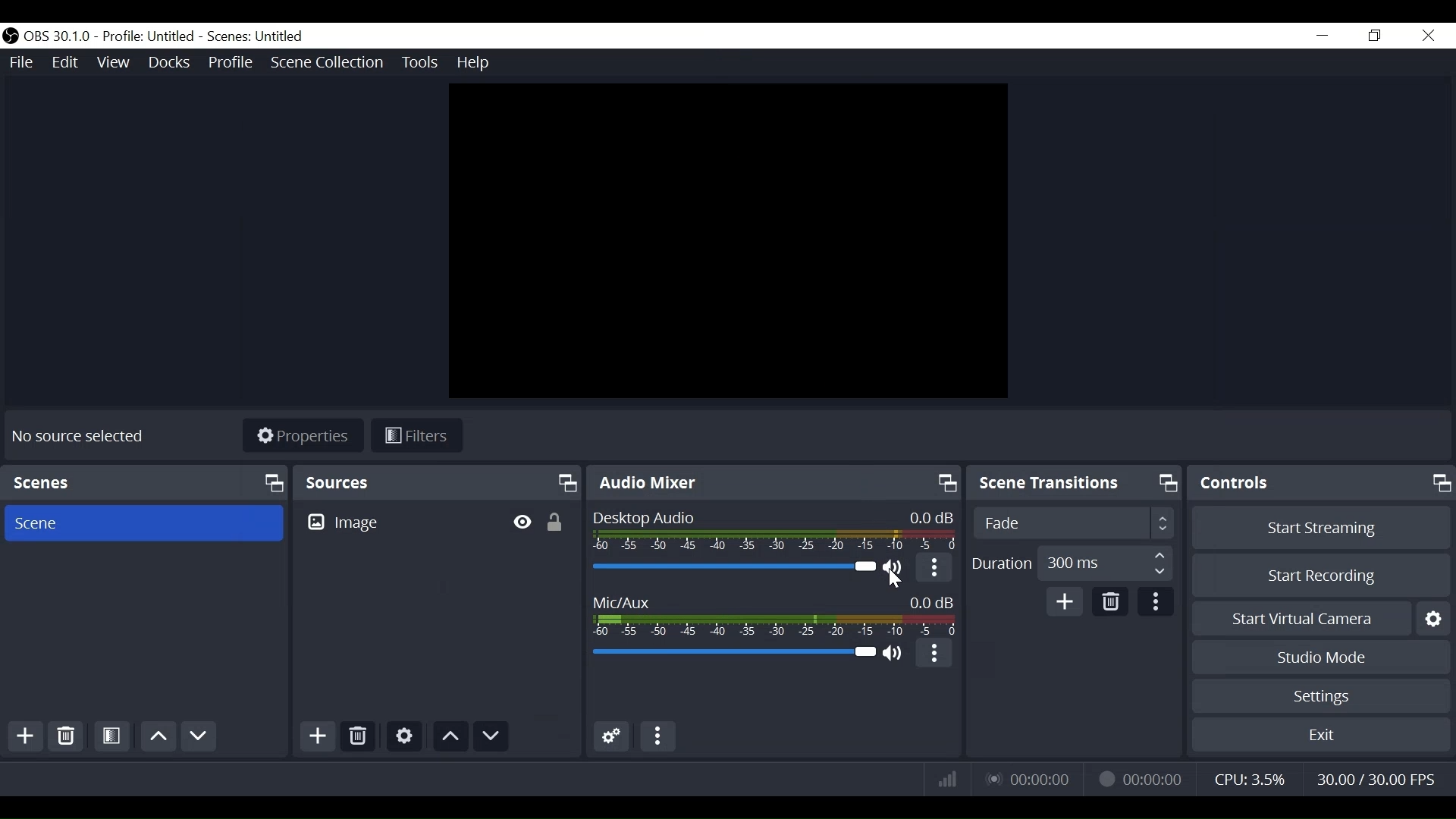  Describe the element at coordinates (727, 241) in the screenshot. I see `Preview` at that location.